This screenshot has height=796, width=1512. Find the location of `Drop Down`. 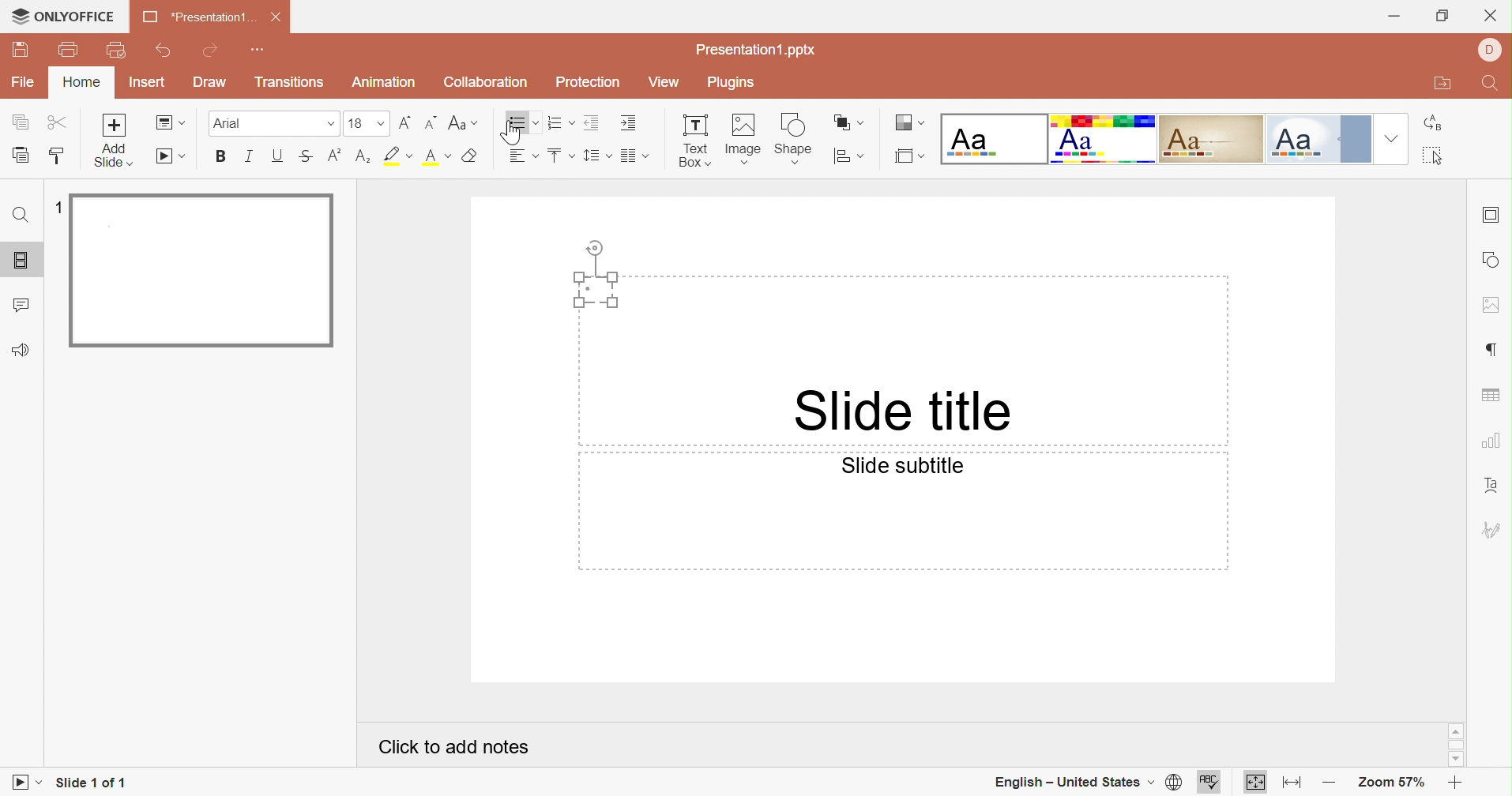

Drop Down is located at coordinates (1390, 138).